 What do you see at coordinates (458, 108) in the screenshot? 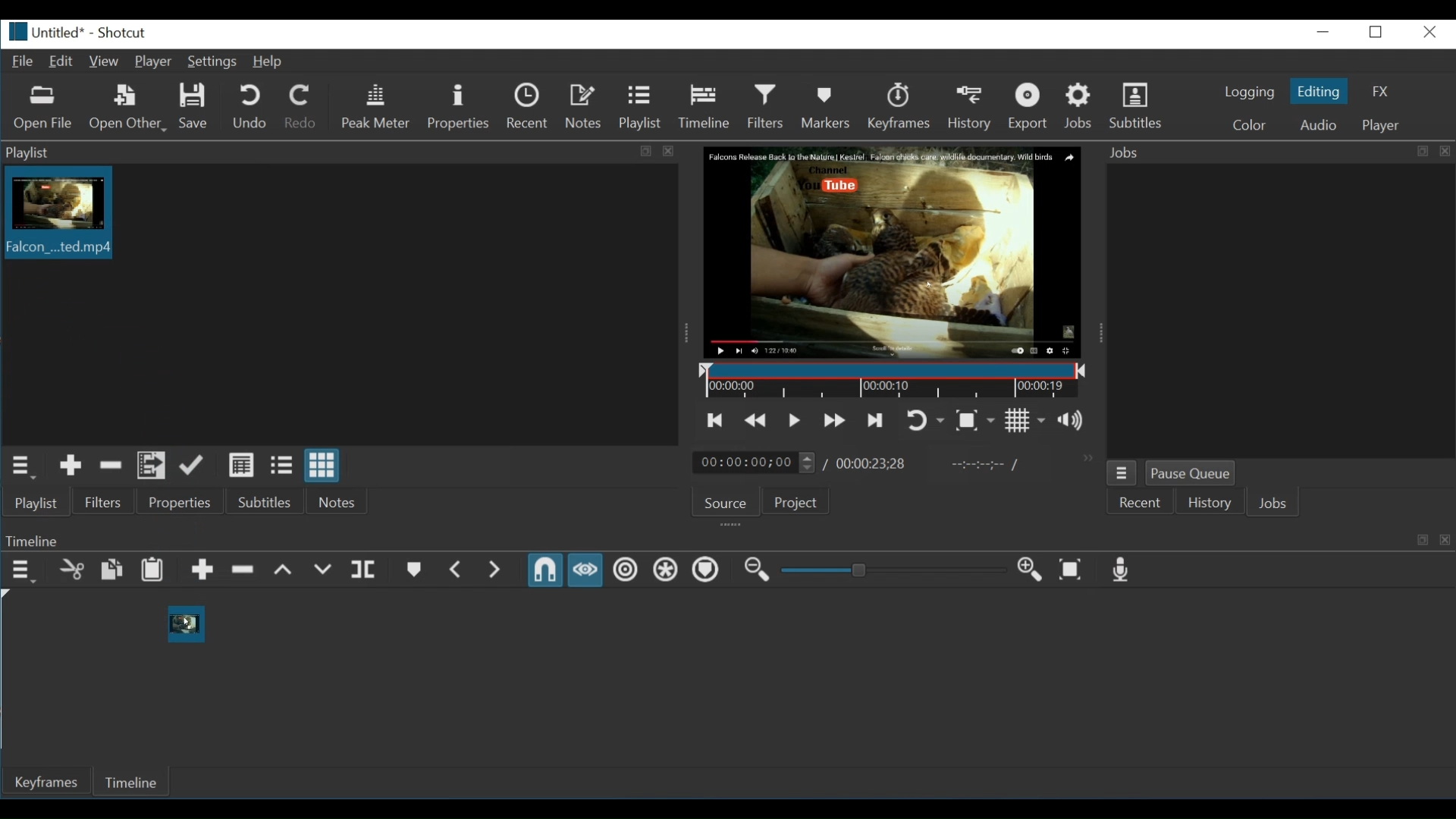
I see `Properties` at bounding box center [458, 108].